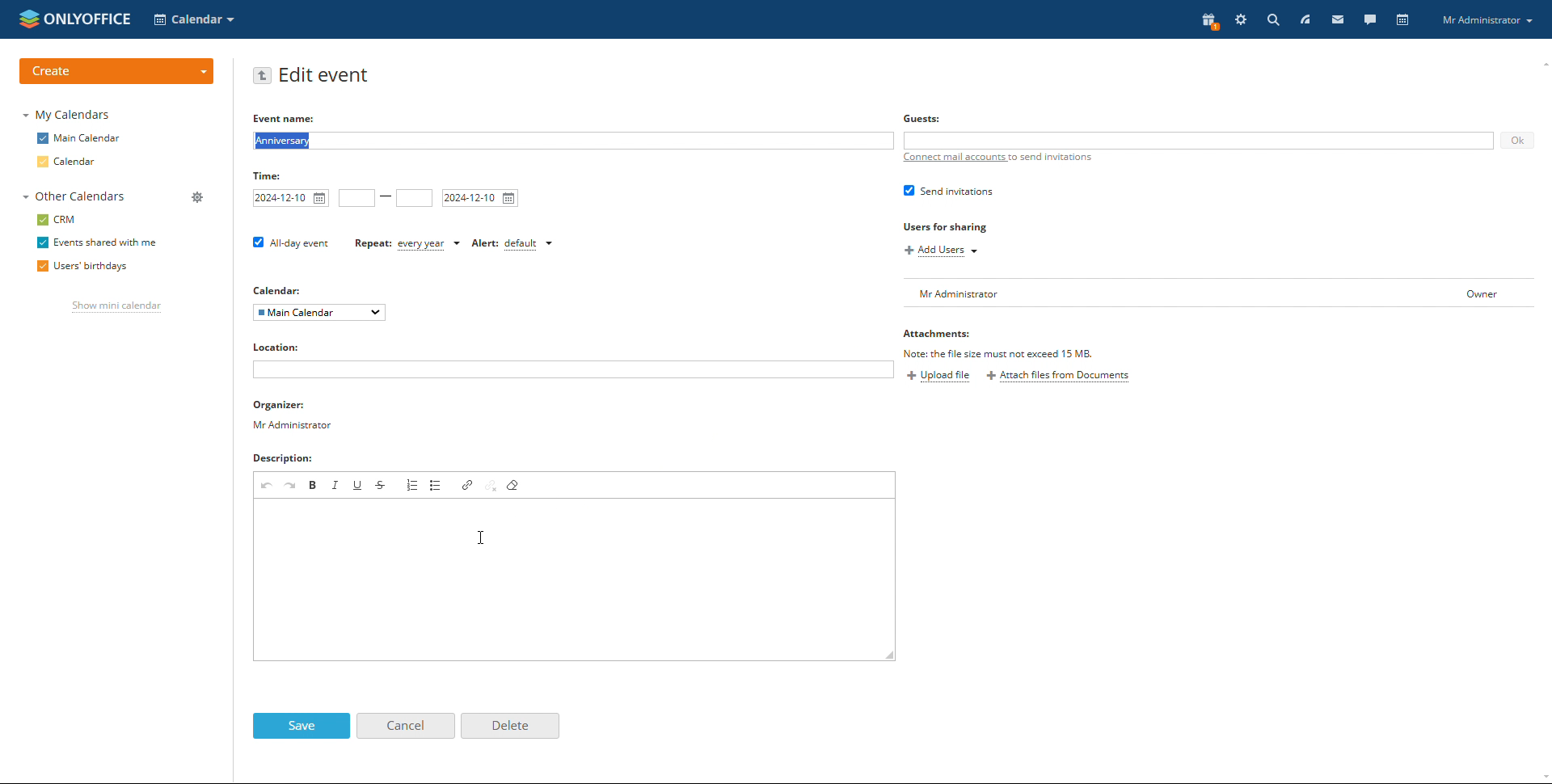 The height and width of the screenshot is (784, 1552). What do you see at coordinates (1369, 19) in the screenshot?
I see `talk` at bounding box center [1369, 19].